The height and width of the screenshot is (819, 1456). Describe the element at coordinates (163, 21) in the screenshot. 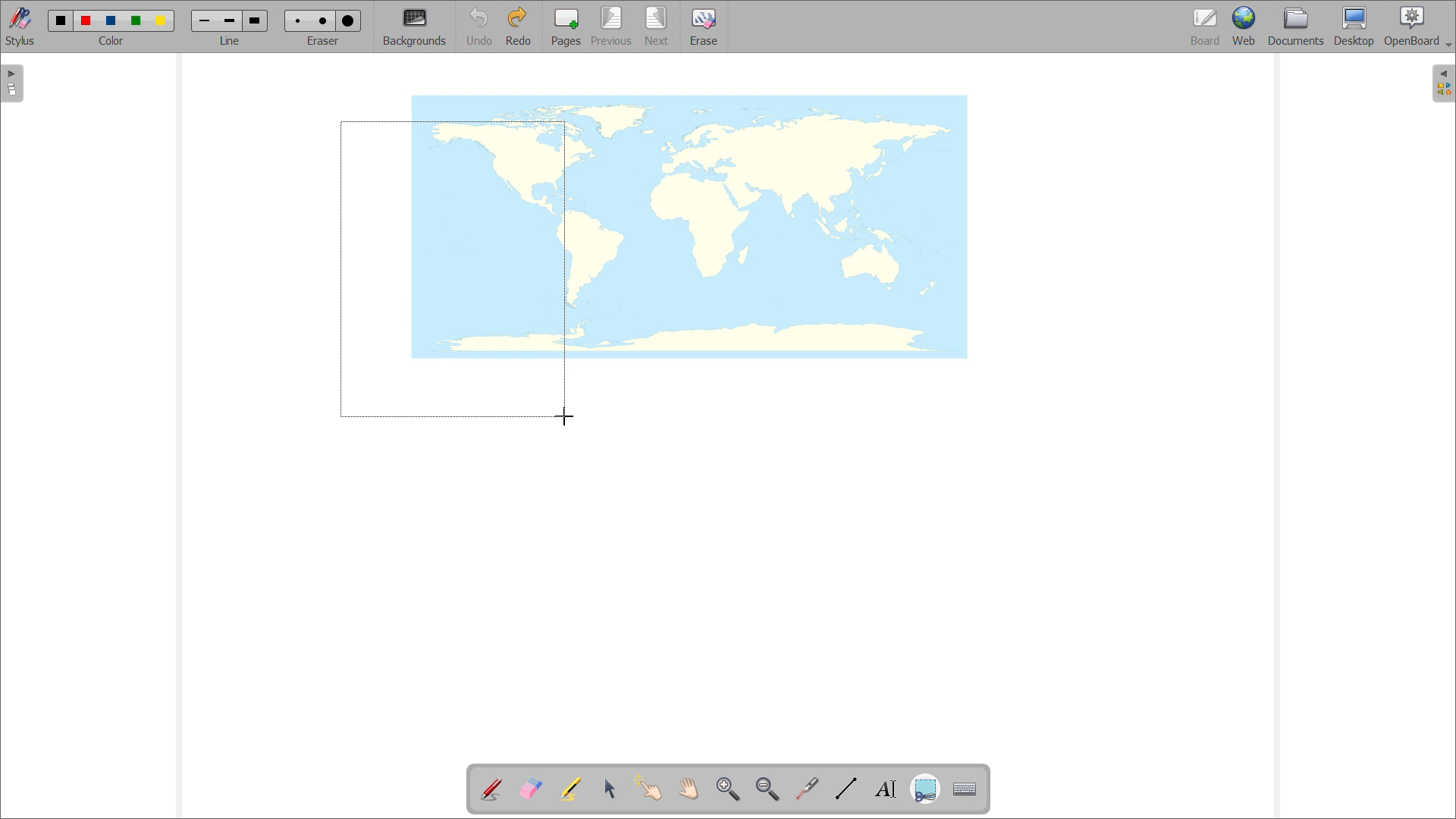

I see `yellow` at that location.